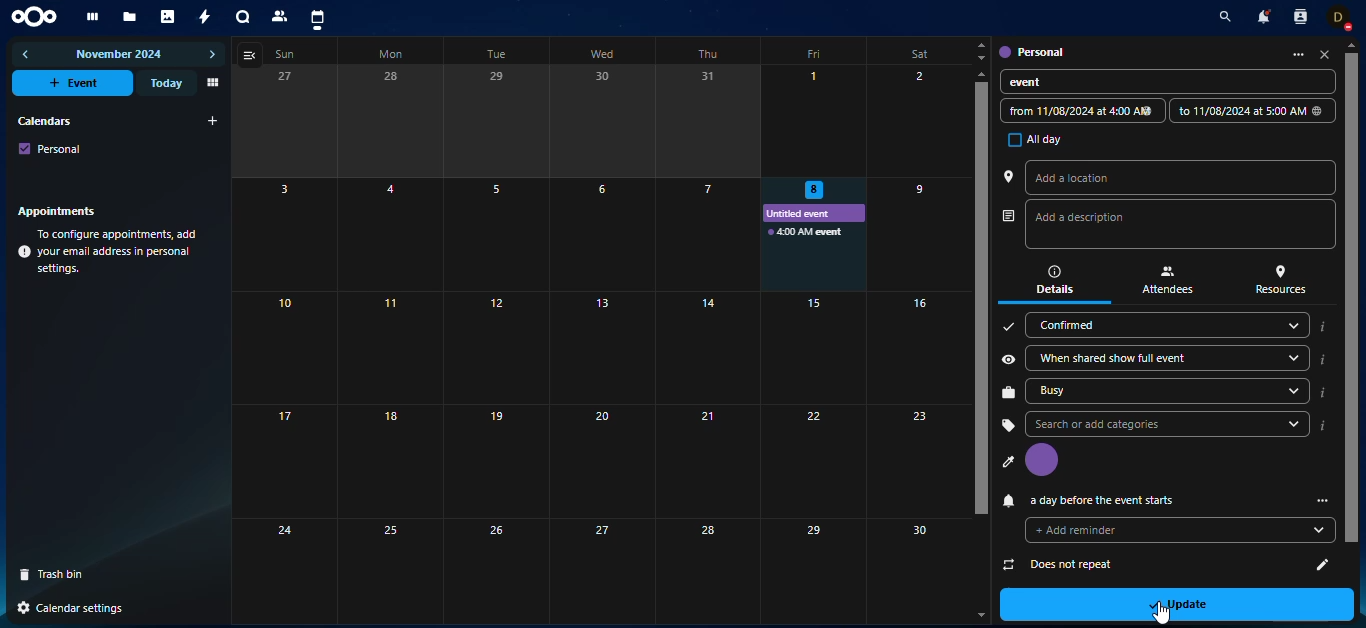 This screenshot has width=1366, height=628. What do you see at coordinates (1094, 220) in the screenshot?
I see `description` at bounding box center [1094, 220].